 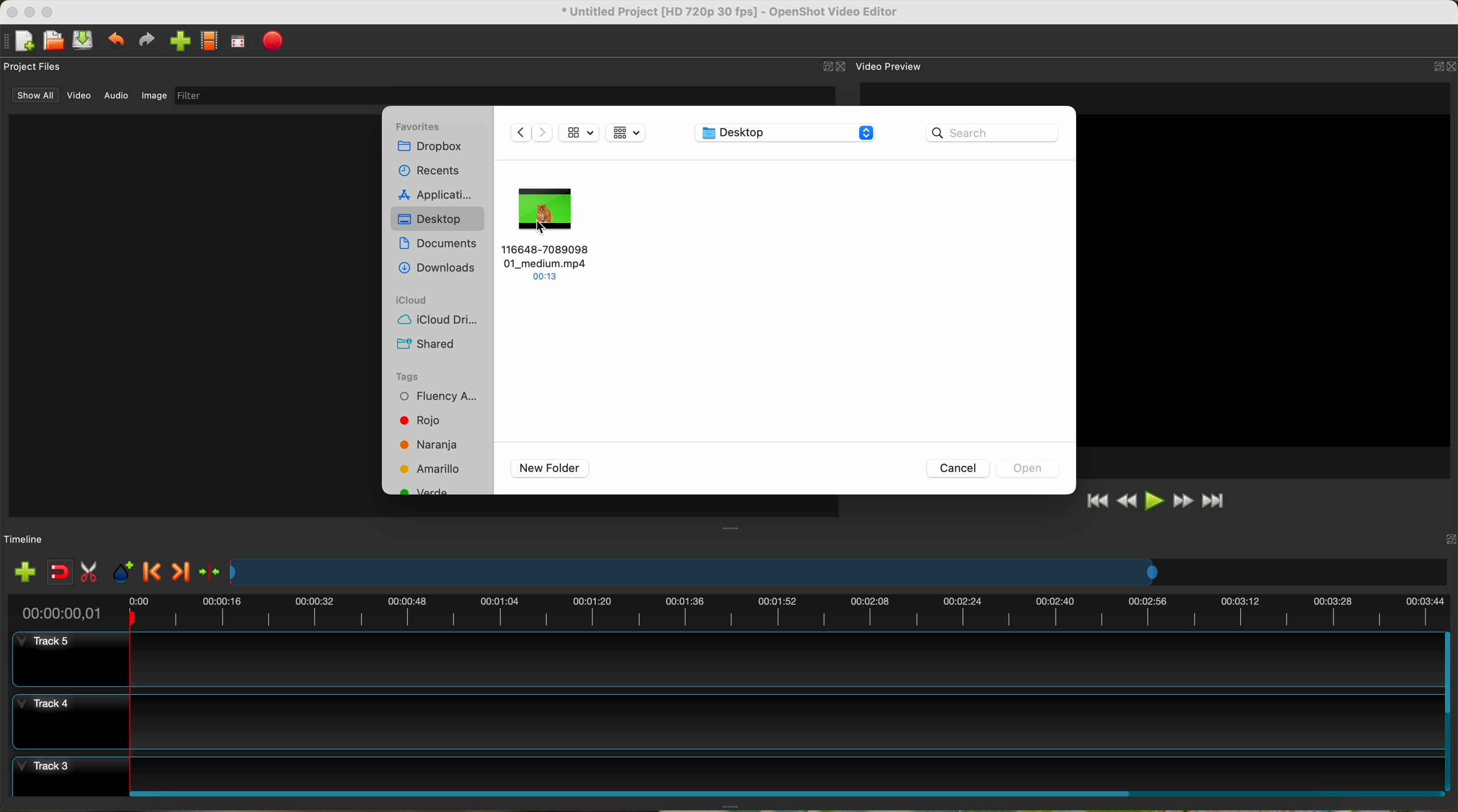 I want to click on track 4, so click(x=725, y=721).